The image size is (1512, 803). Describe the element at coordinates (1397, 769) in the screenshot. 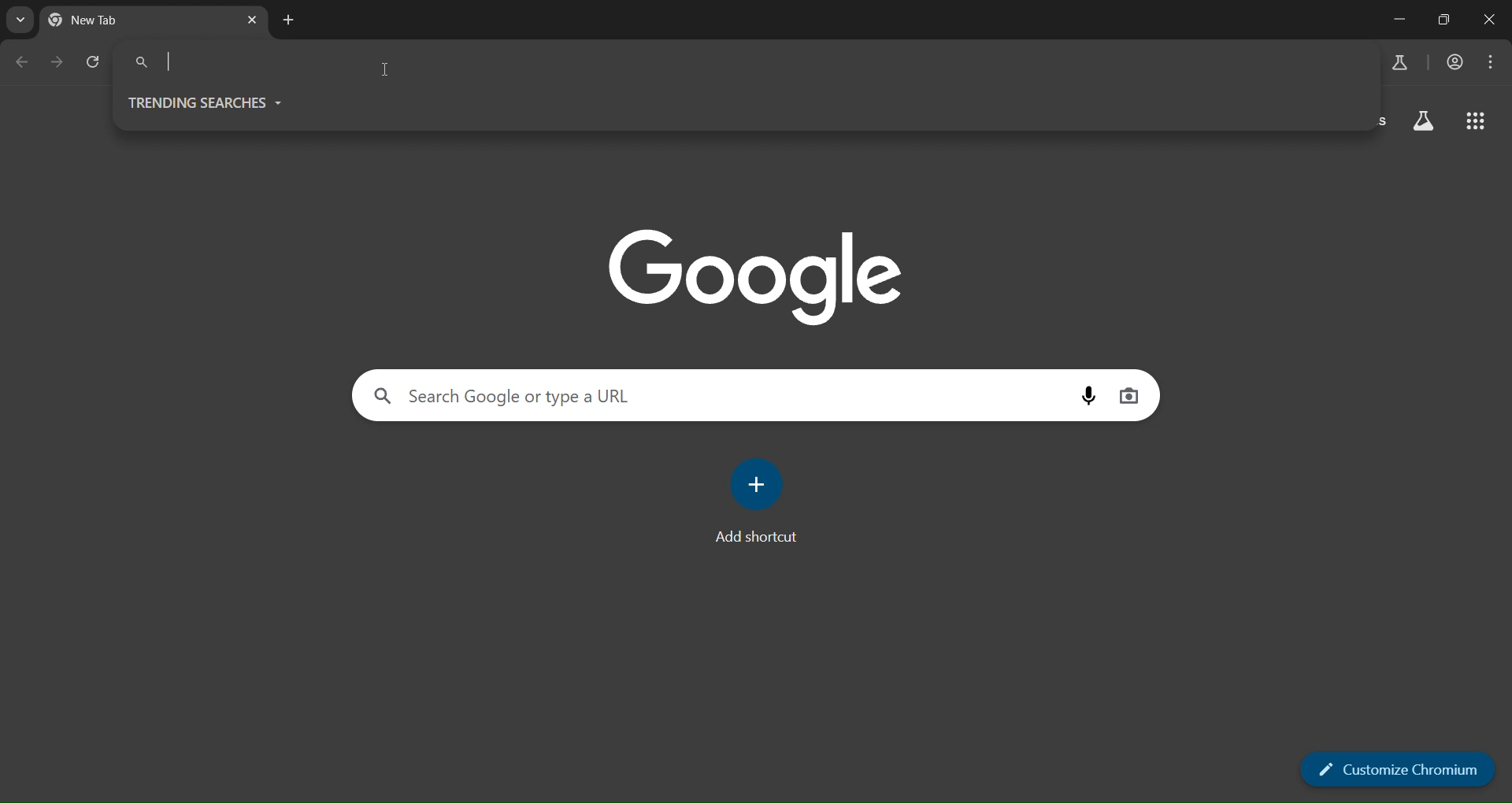

I see `customize chromium` at that location.